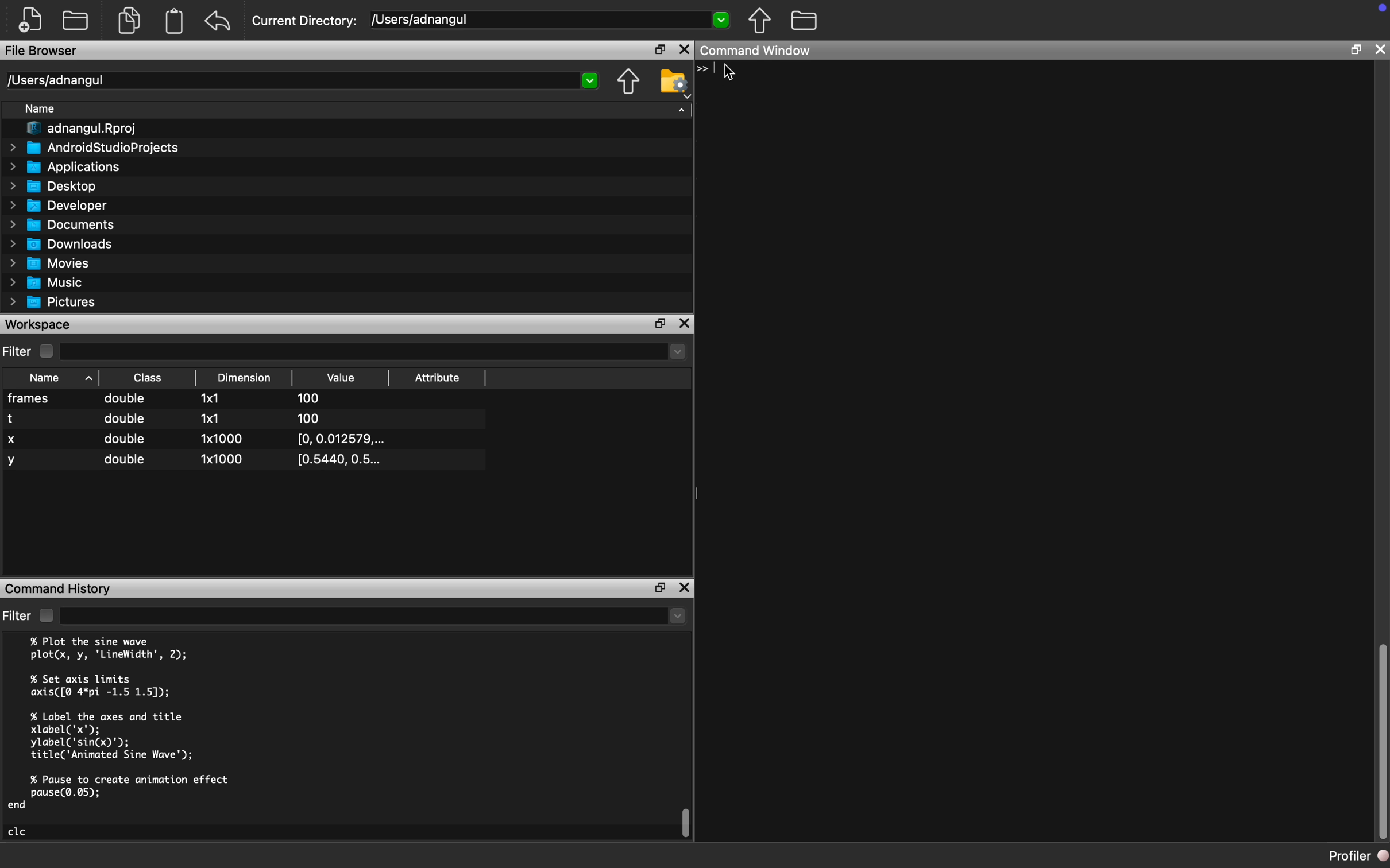  What do you see at coordinates (438, 378) in the screenshot?
I see `Attribute` at bounding box center [438, 378].